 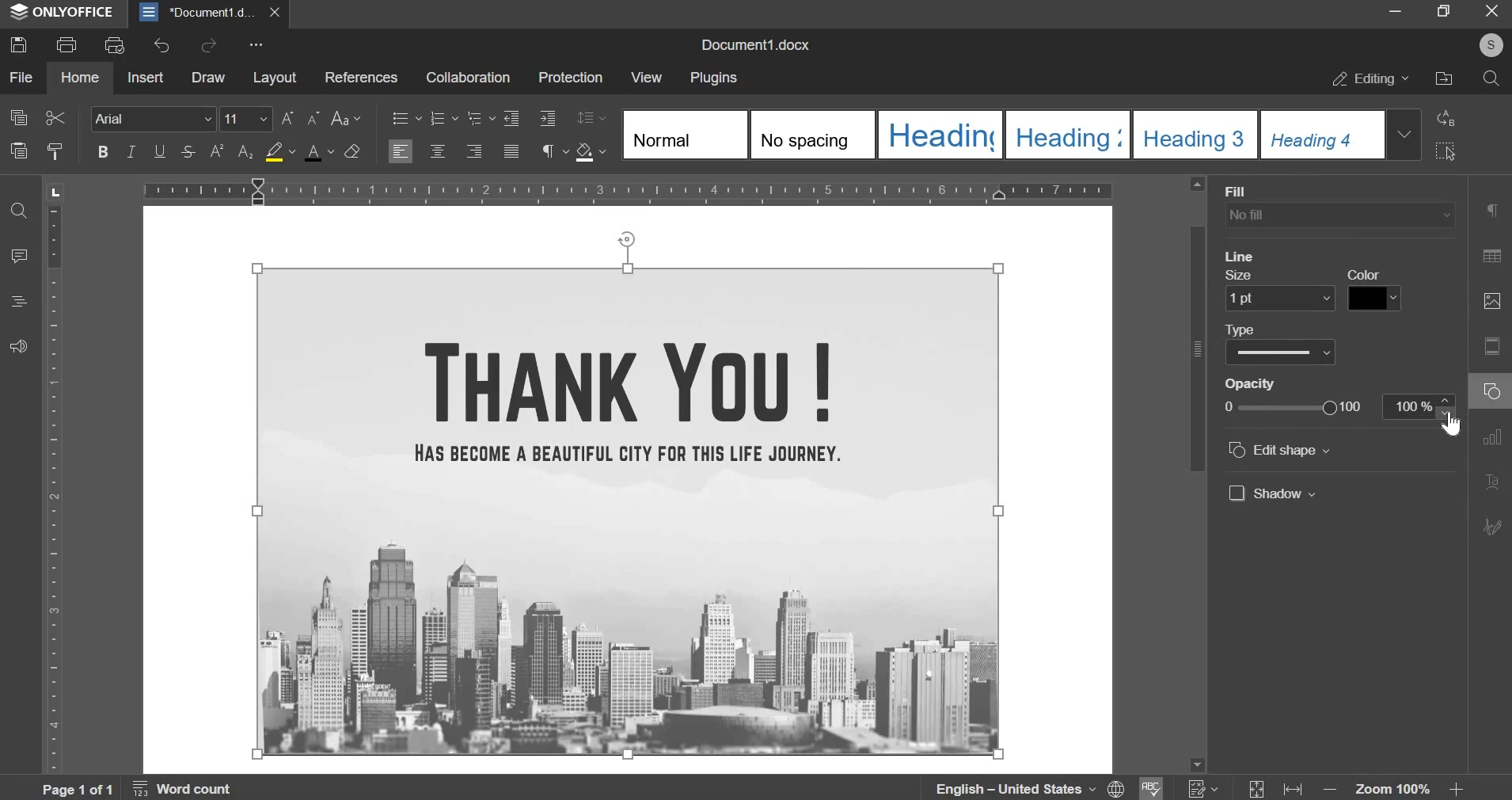 I want to click on font, so click(x=151, y=118).